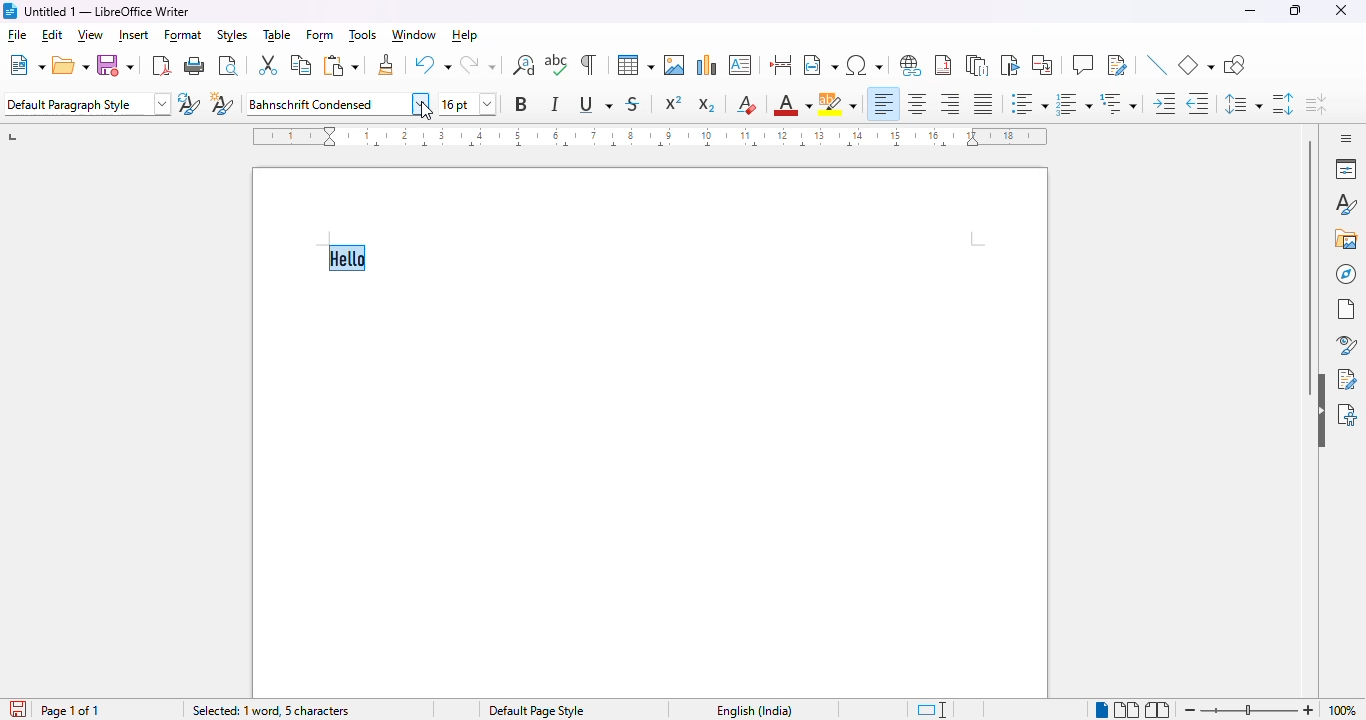 This screenshot has height=720, width=1366. I want to click on toggle unordered list, so click(1029, 104).